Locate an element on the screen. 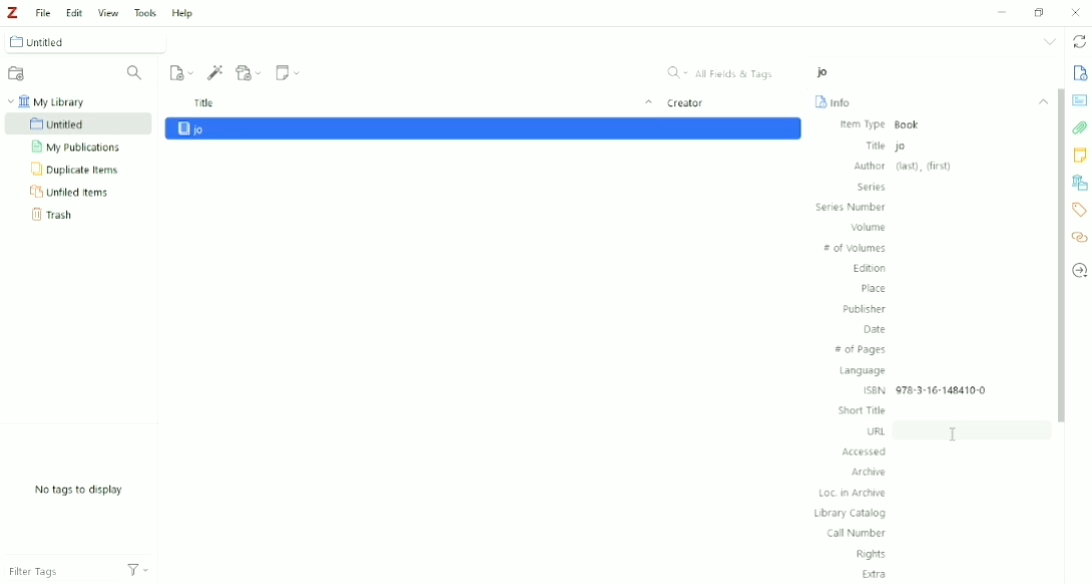 Image resolution: width=1092 pixels, height=584 pixels. Collapse section is located at coordinates (1040, 99).